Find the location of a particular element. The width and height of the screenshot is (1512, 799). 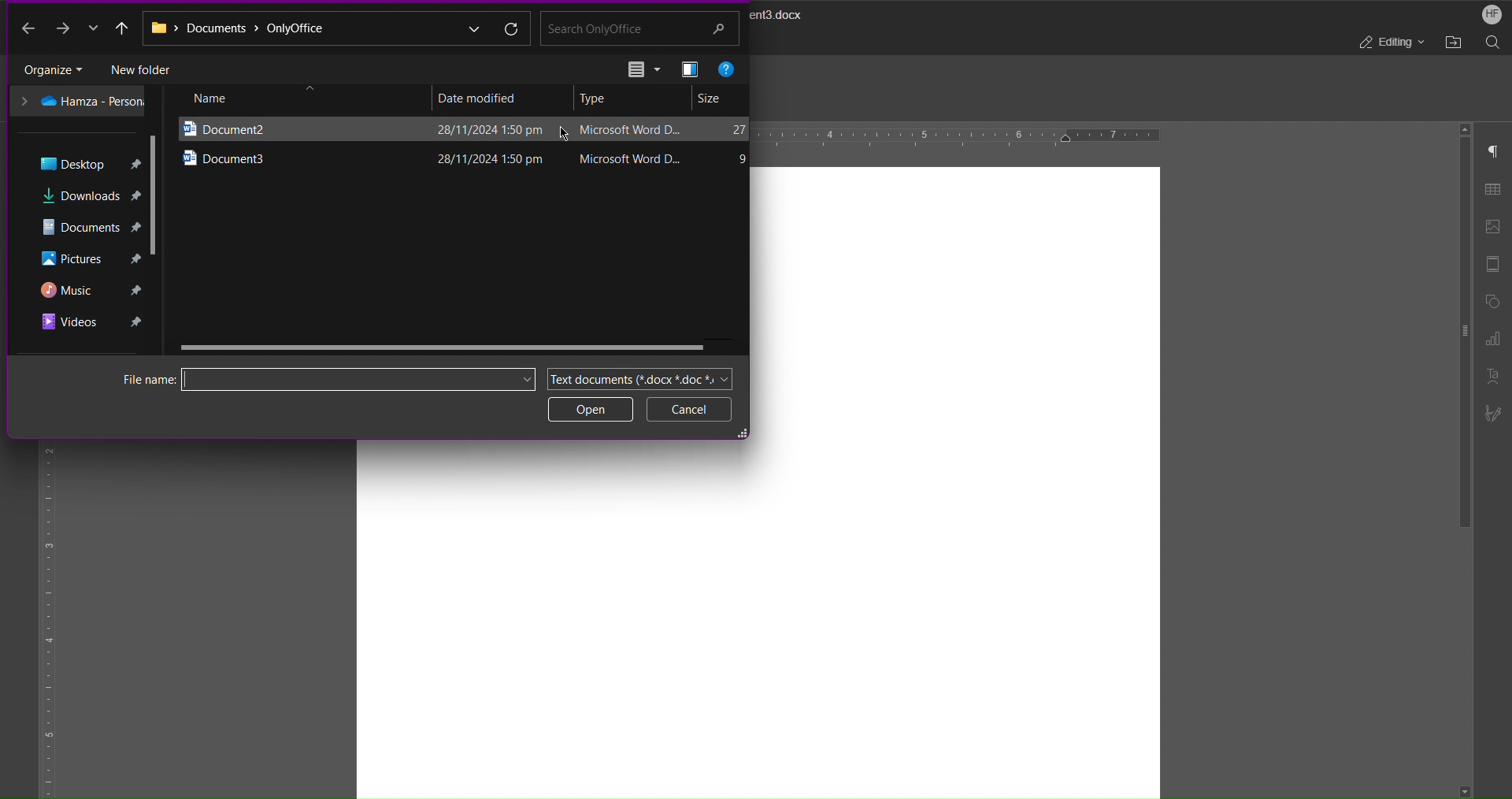

Image Settings is located at coordinates (1496, 222).